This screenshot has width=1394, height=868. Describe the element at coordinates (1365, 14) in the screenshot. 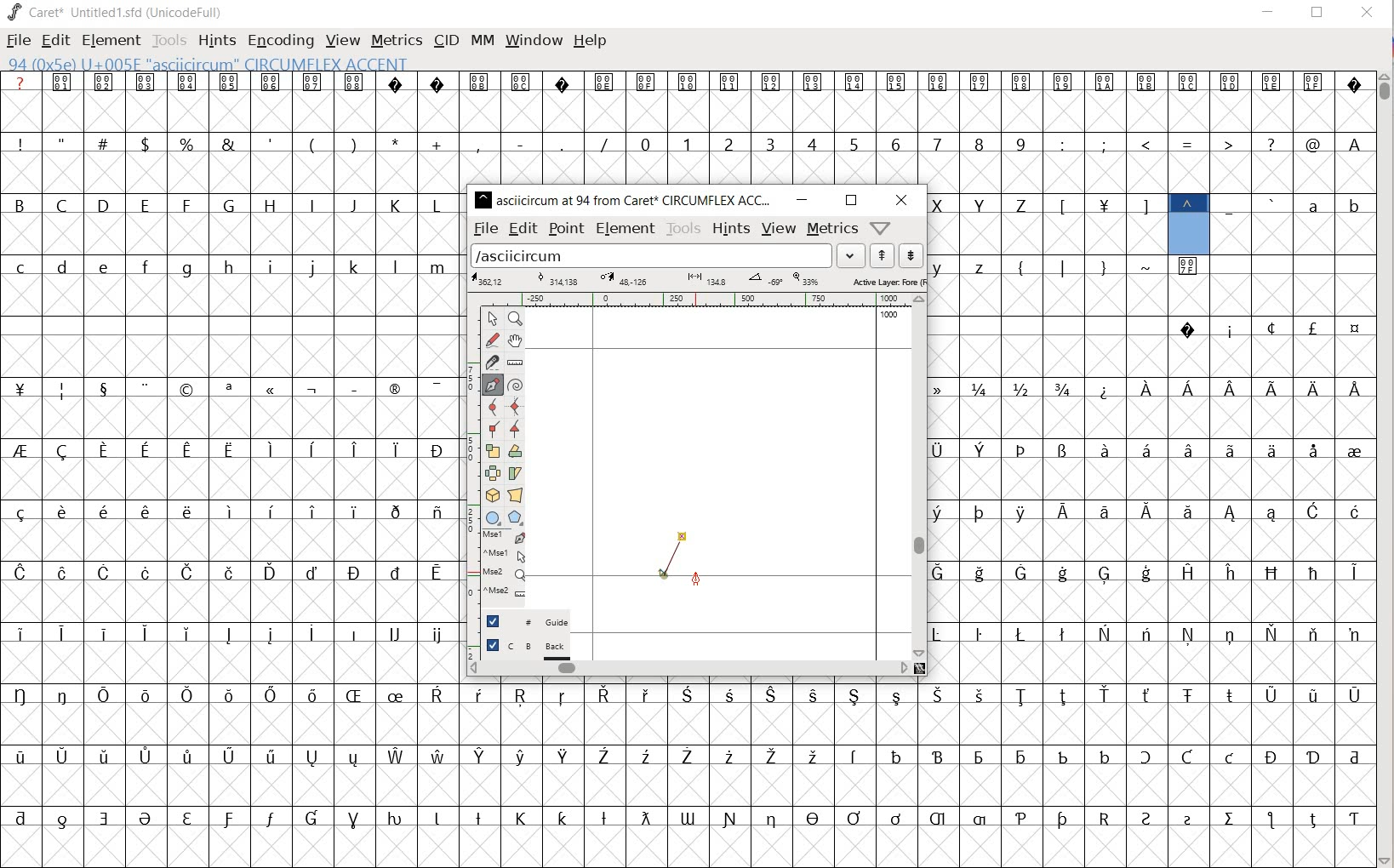

I see `CLOSE` at that location.